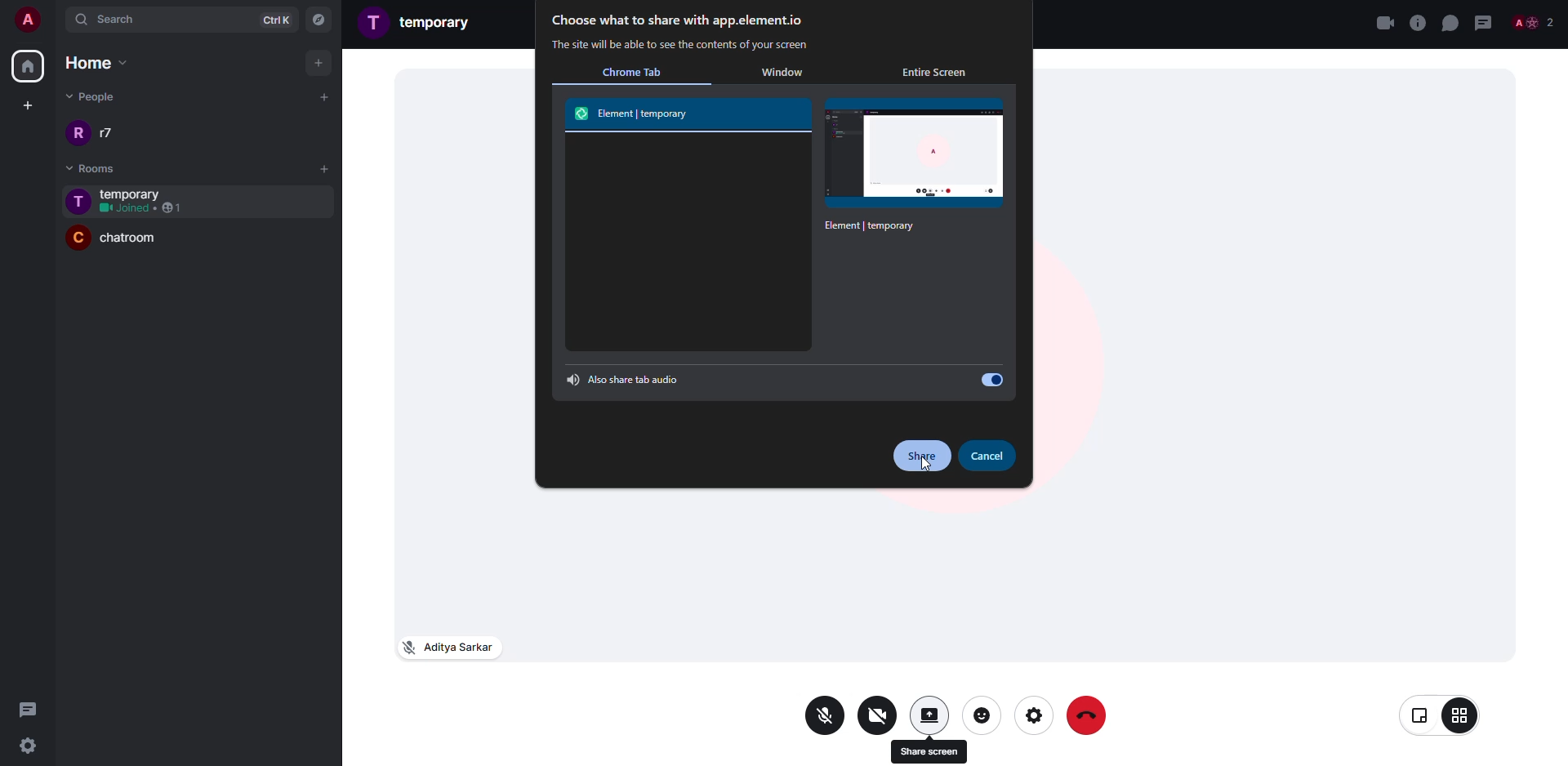 The image size is (1568, 766). Describe the element at coordinates (933, 73) in the screenshot. I see `entire screen` at that location.